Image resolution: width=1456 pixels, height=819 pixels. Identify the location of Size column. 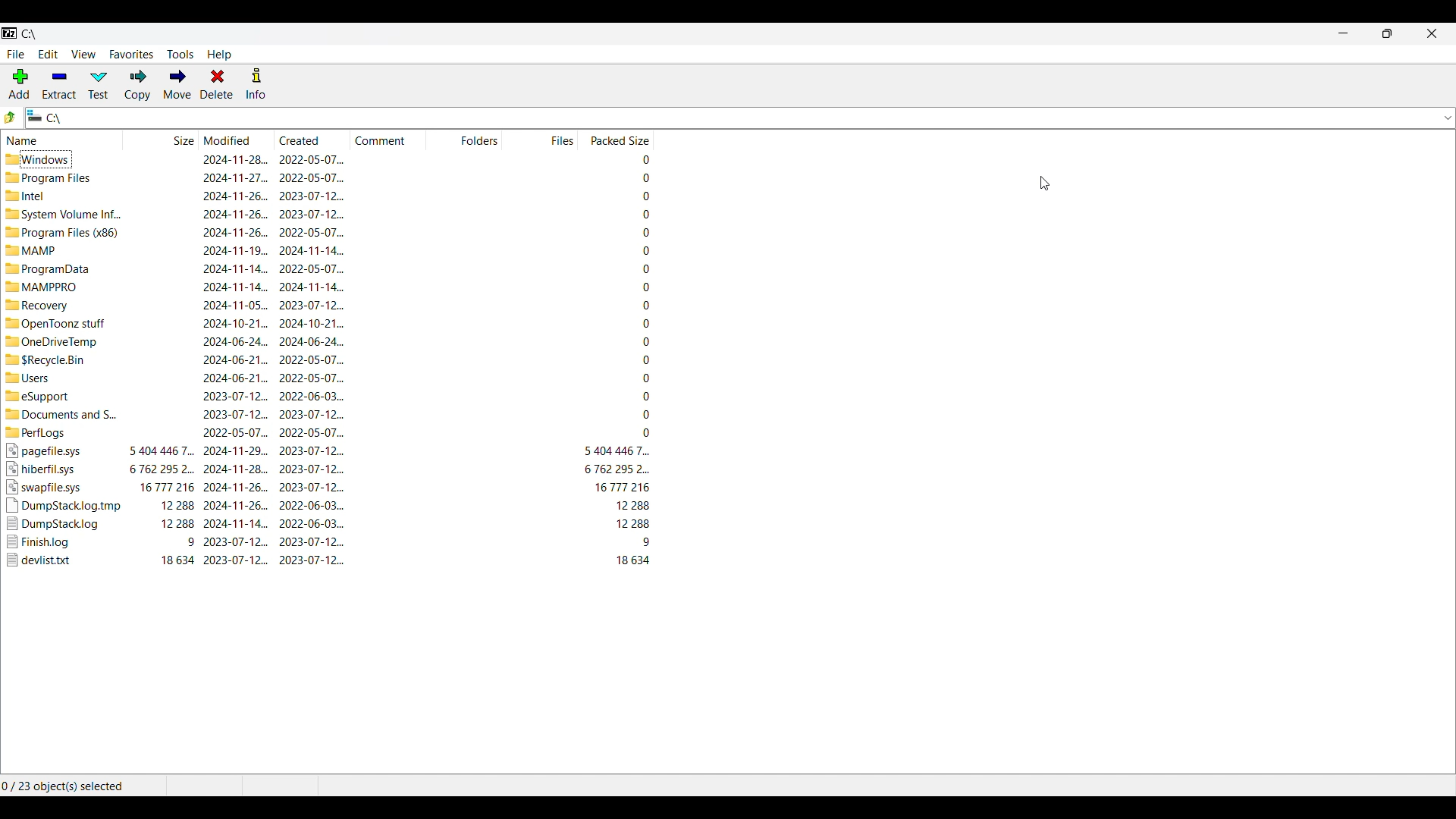
(162, 140).